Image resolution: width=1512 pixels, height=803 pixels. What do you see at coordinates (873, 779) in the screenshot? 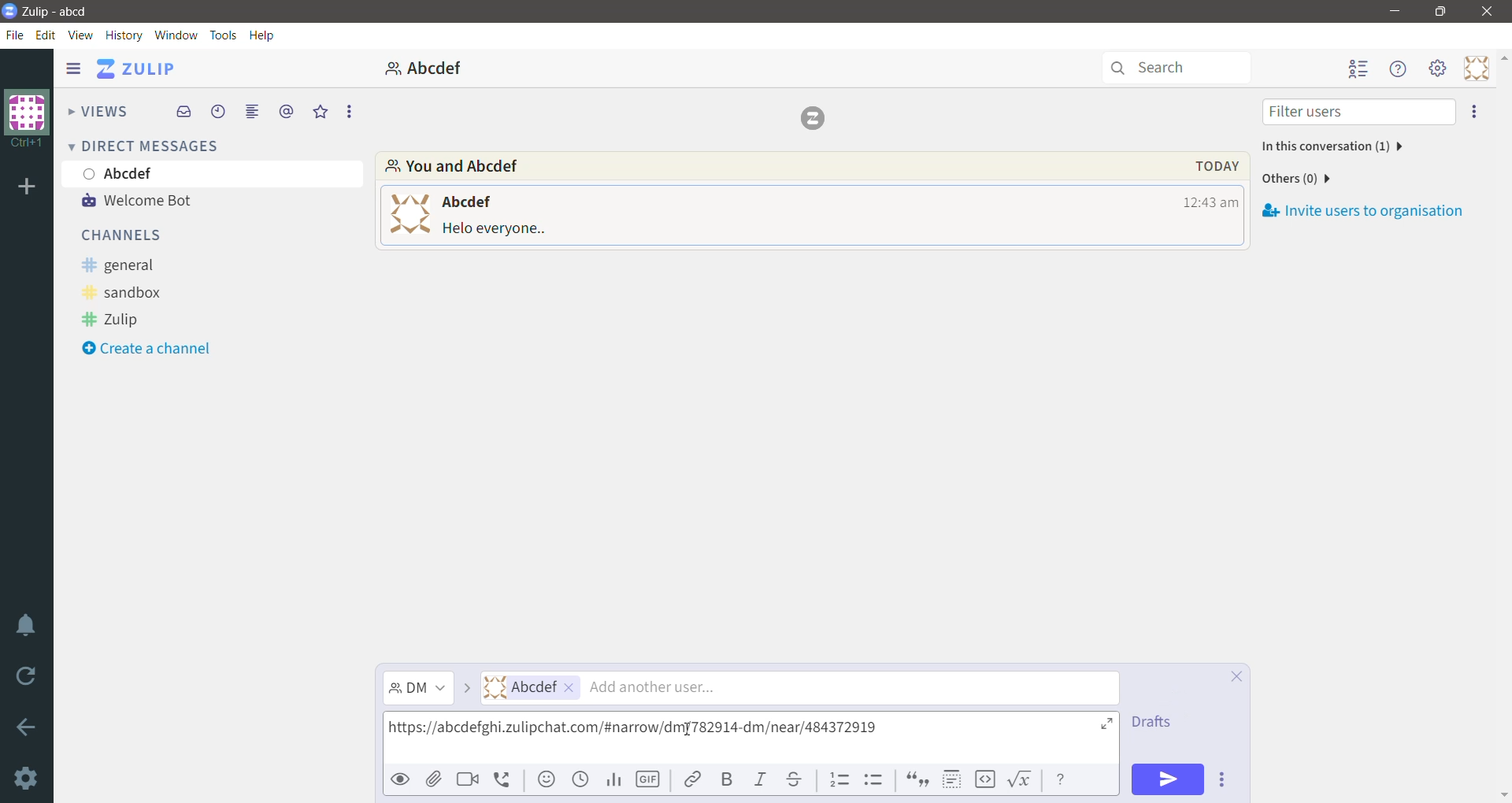
I see `Bulleted list` at bounding box center [873, 779].